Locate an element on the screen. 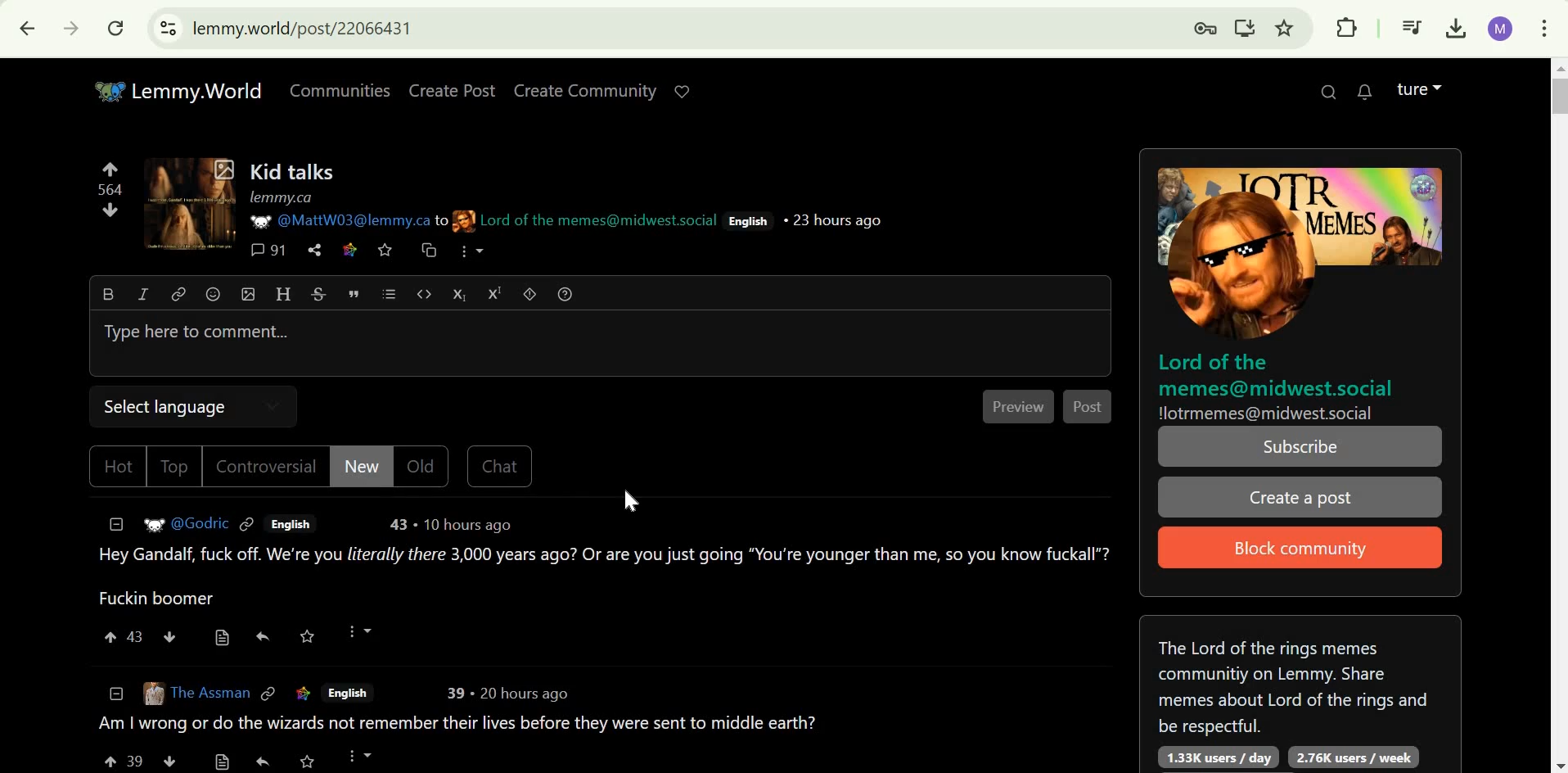 This screenshot has height=773, width=1568. List is located at coordinates (387, 293).